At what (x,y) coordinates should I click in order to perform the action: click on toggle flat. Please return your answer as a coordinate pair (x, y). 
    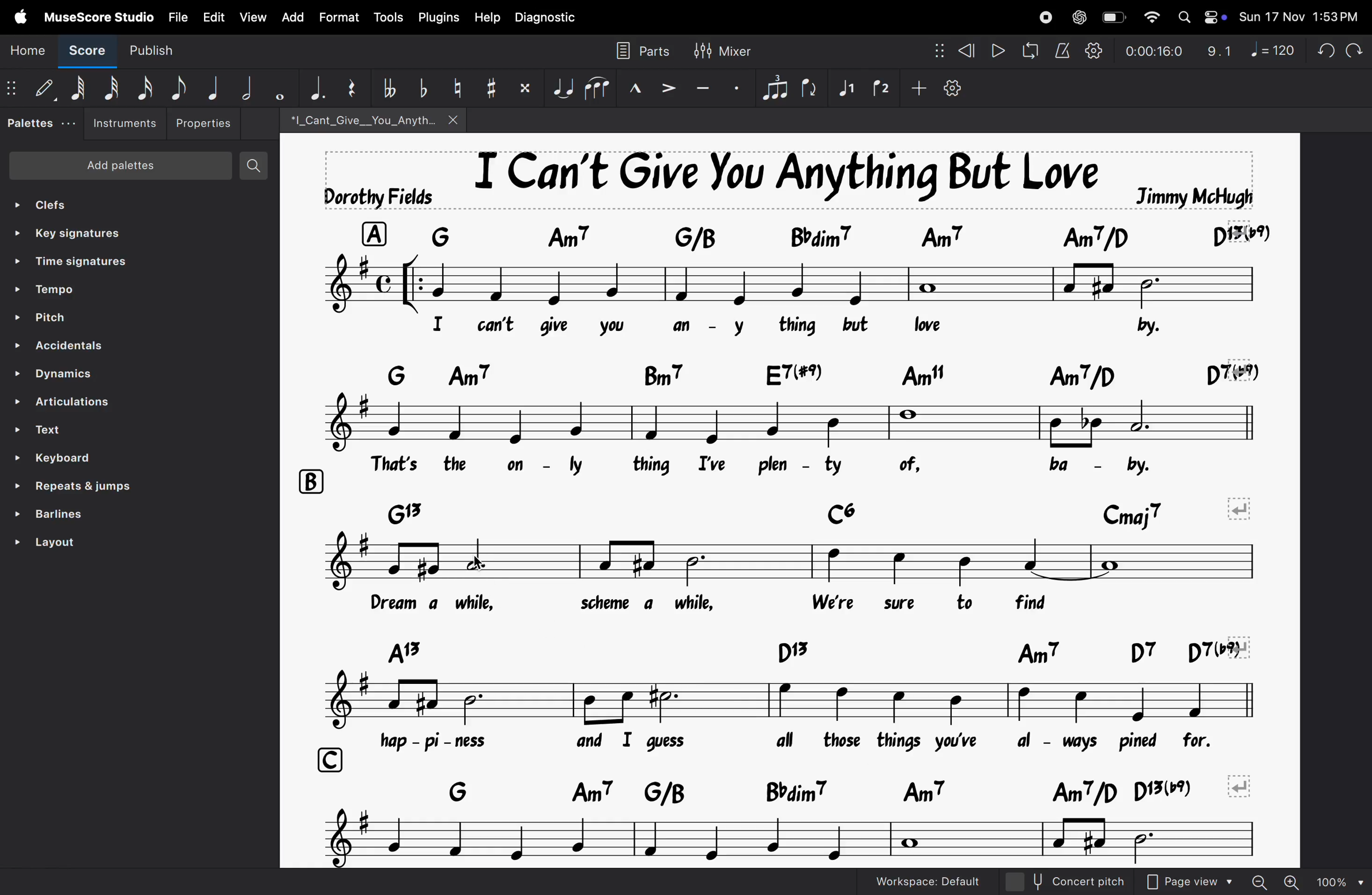
    Looking at the image, I should click on (420, 88).